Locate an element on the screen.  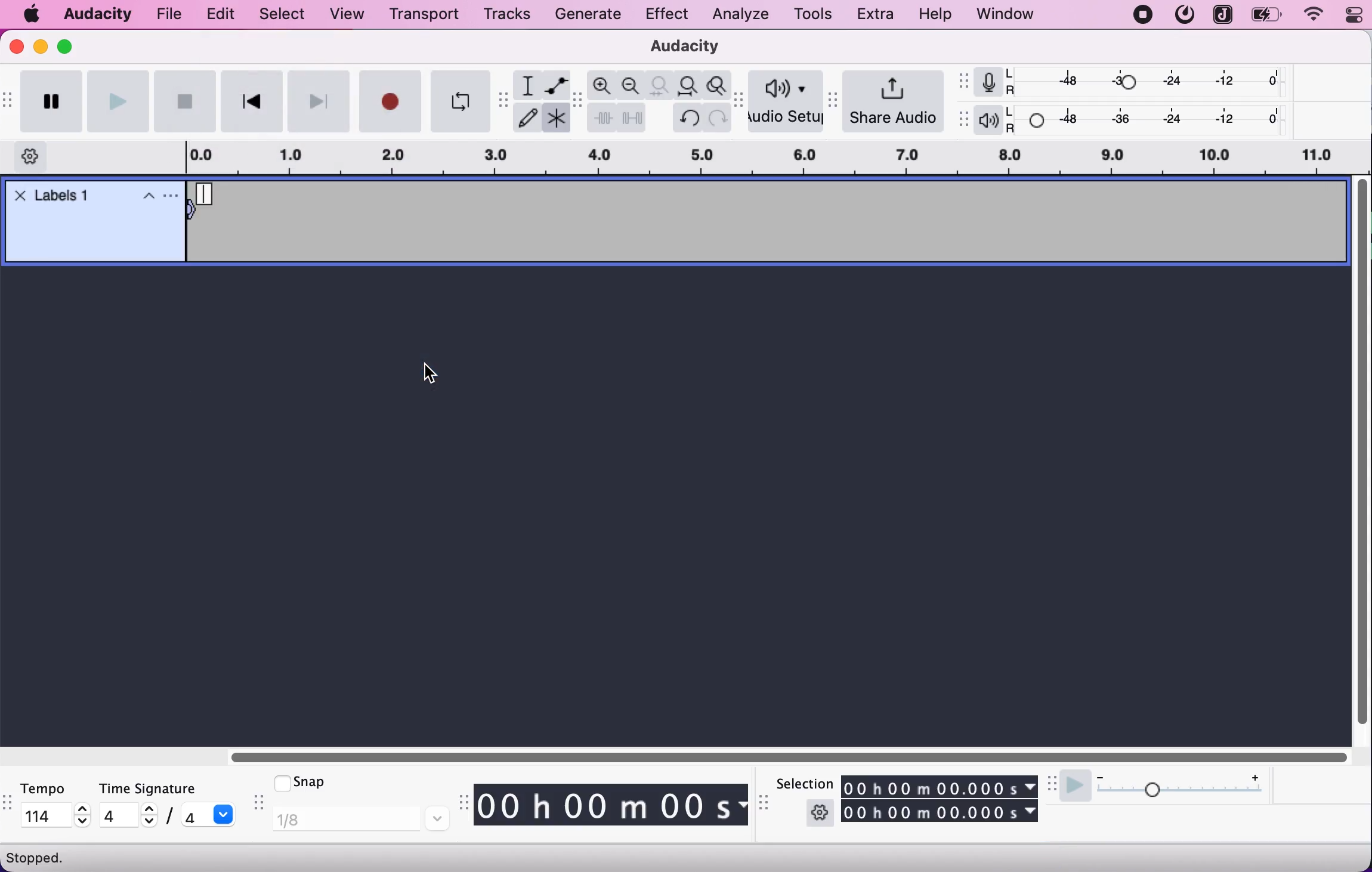
increase is located at coordinates (83, 809).